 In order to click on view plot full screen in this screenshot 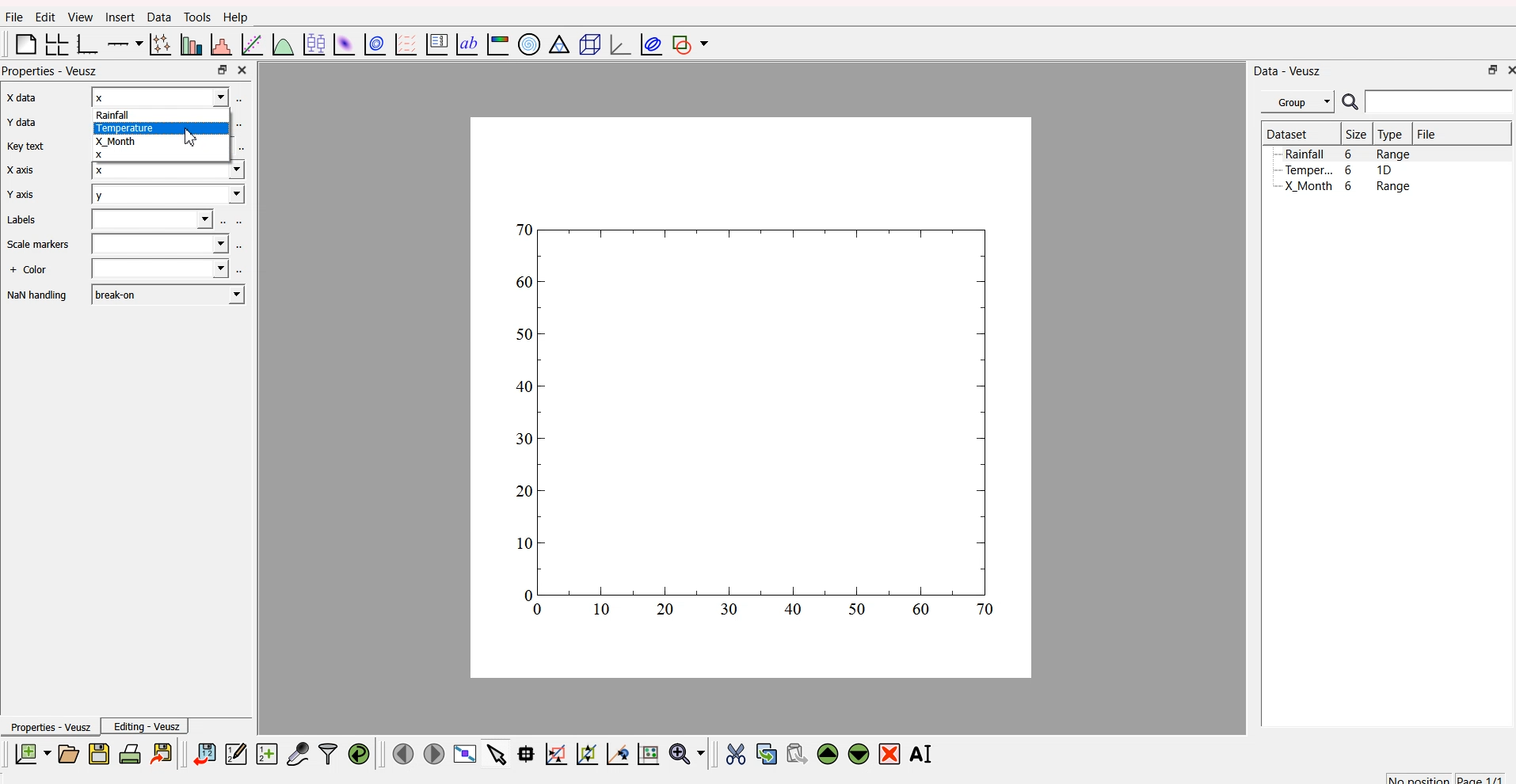, I will do `click(465, 754)`.